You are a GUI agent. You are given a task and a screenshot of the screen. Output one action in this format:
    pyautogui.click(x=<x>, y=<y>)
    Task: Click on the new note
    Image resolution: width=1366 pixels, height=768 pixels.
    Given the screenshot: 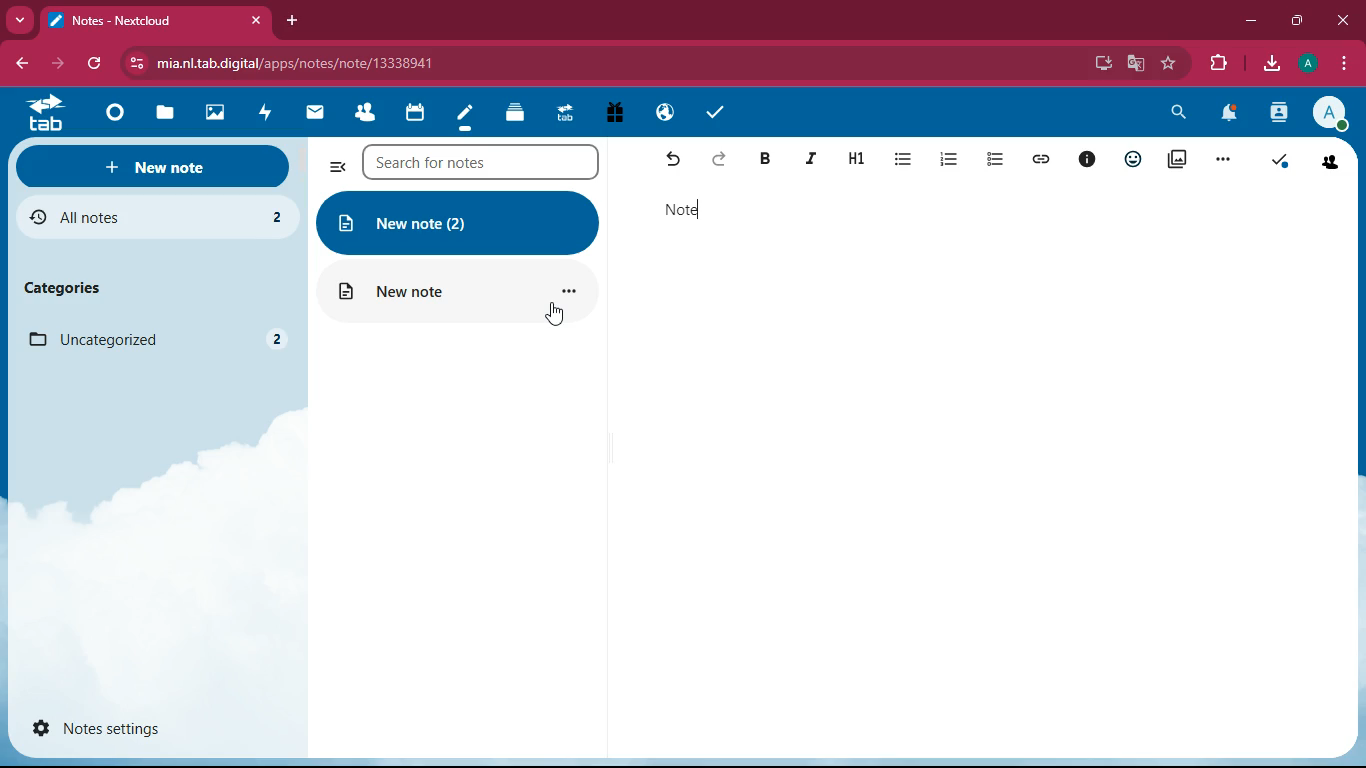 What is the action you would take?
    pyautogui.click(x=458, y=224)
    